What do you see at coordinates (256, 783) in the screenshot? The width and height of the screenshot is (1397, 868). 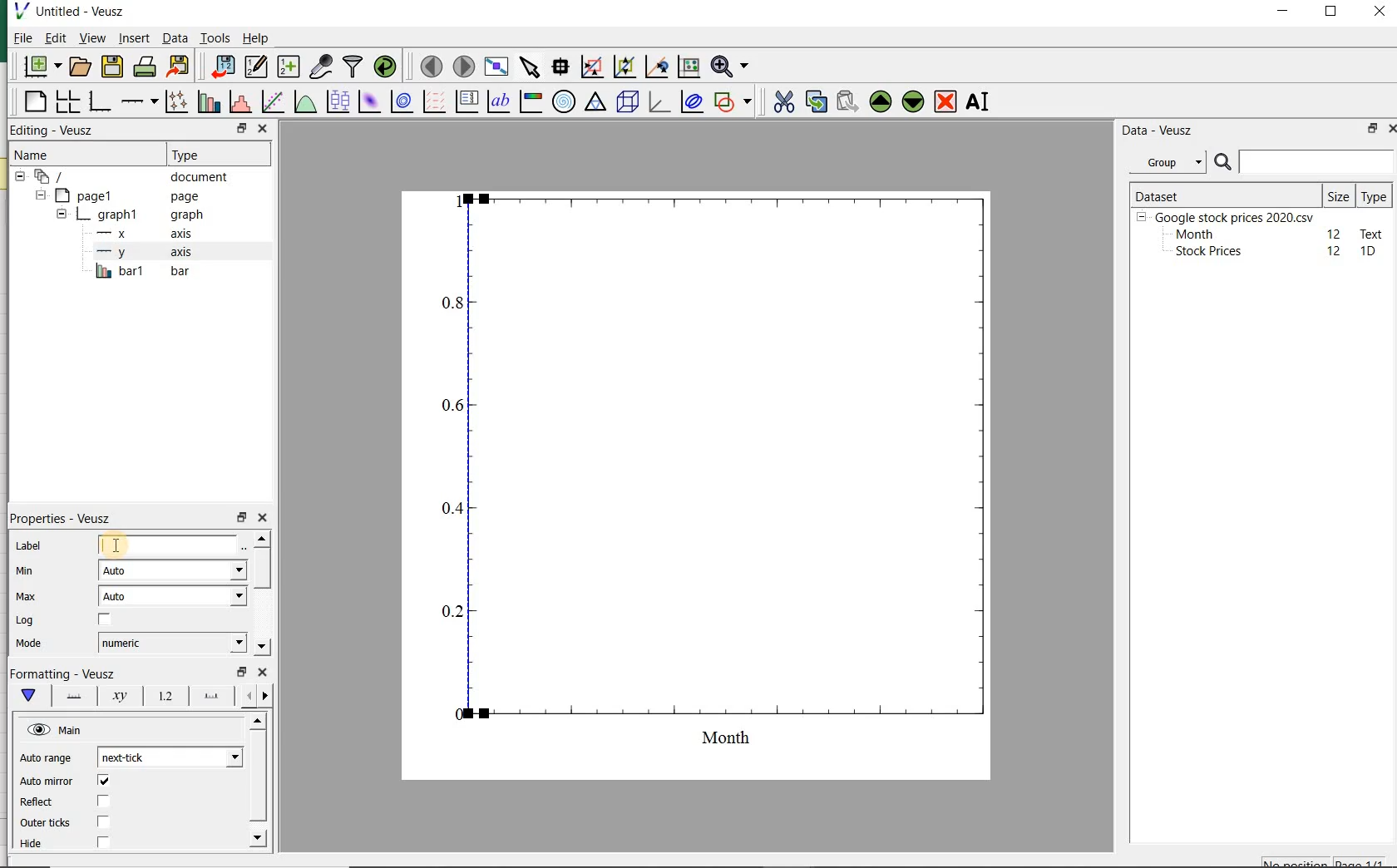 I see `scrollbar` at bounding box center [256, 783].